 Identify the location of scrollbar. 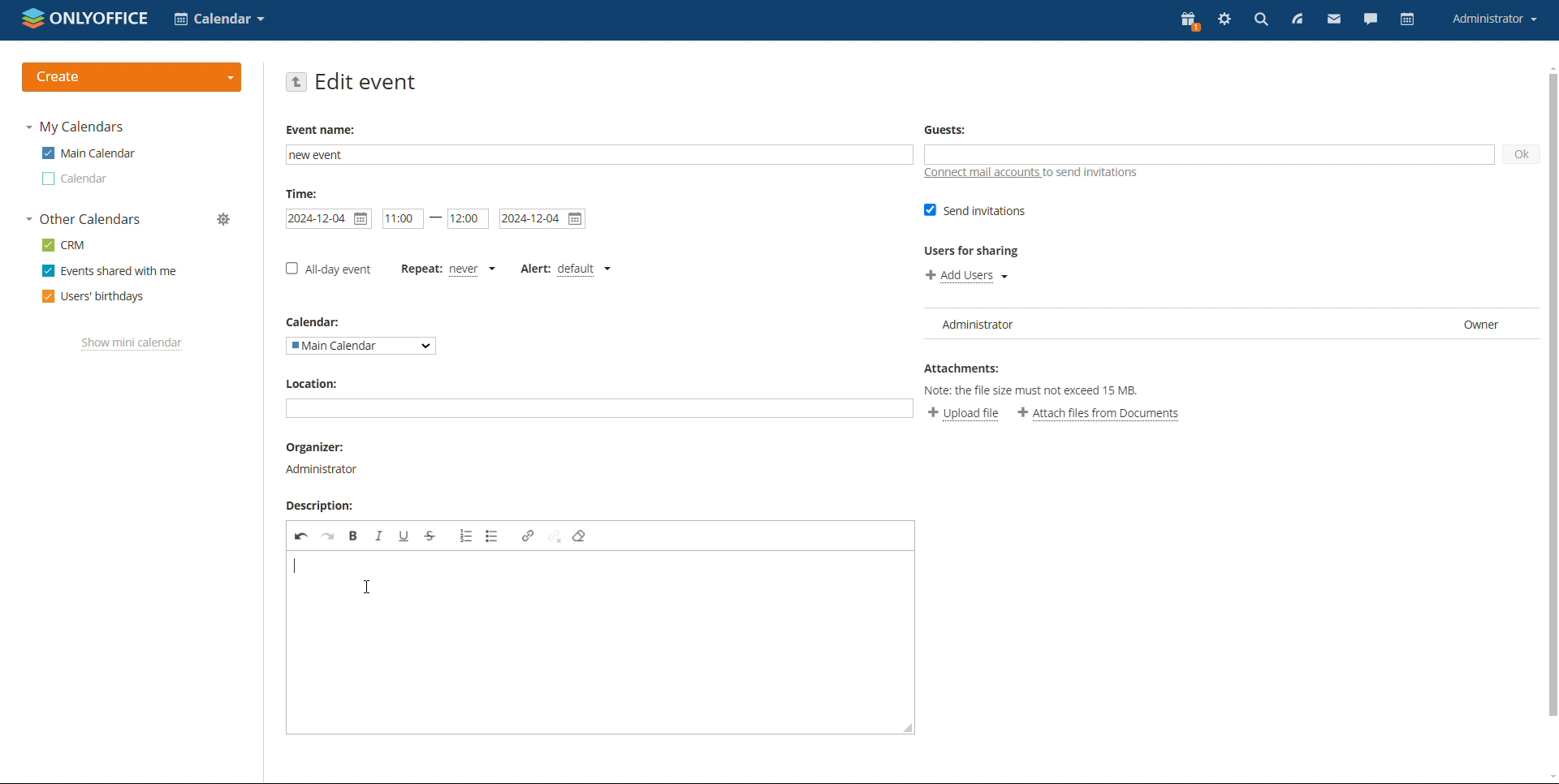
(1561, 400).